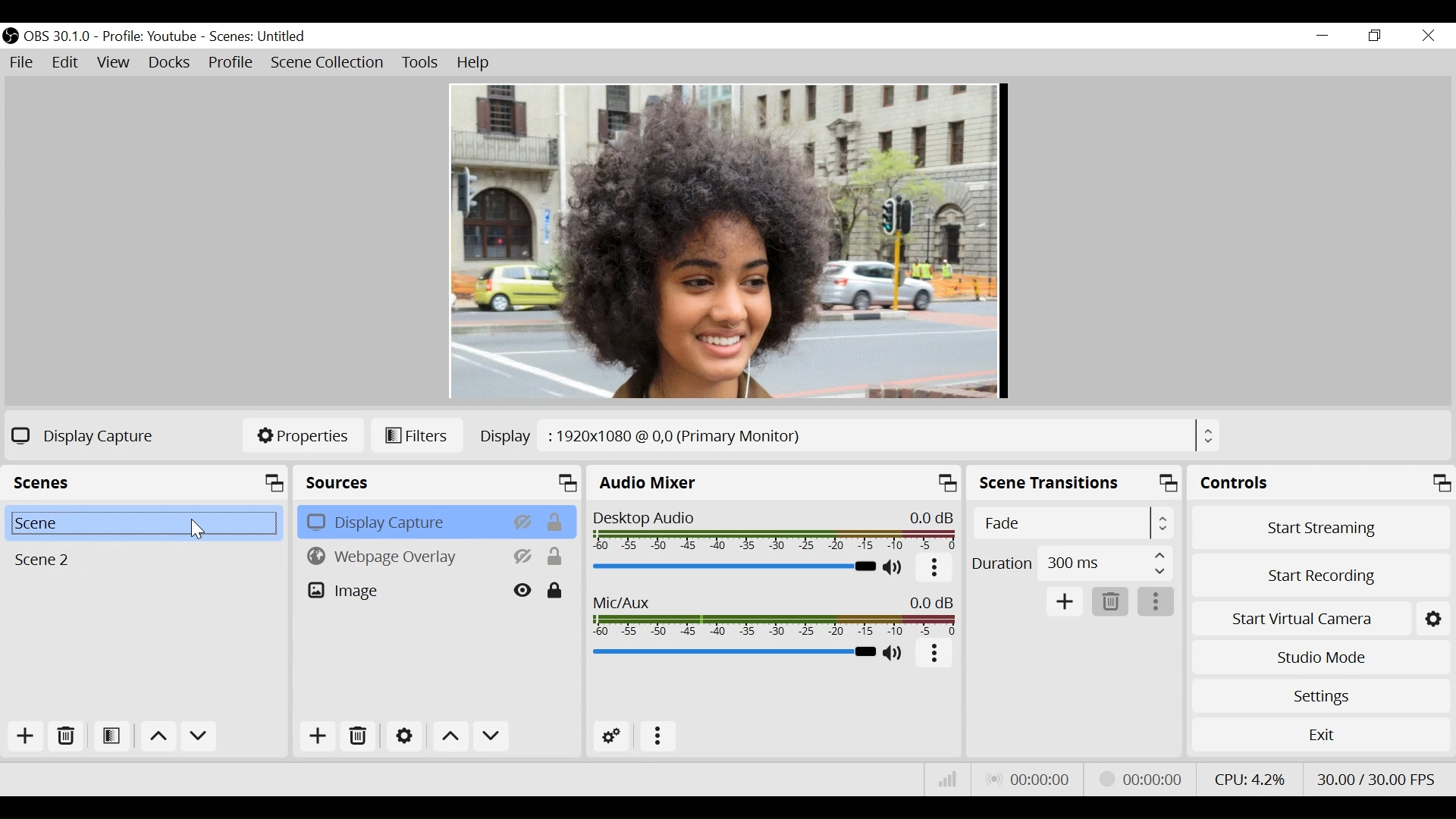 This screenshot has width=1456, height=819. I want to click on Bitrate, so click(945, 778).